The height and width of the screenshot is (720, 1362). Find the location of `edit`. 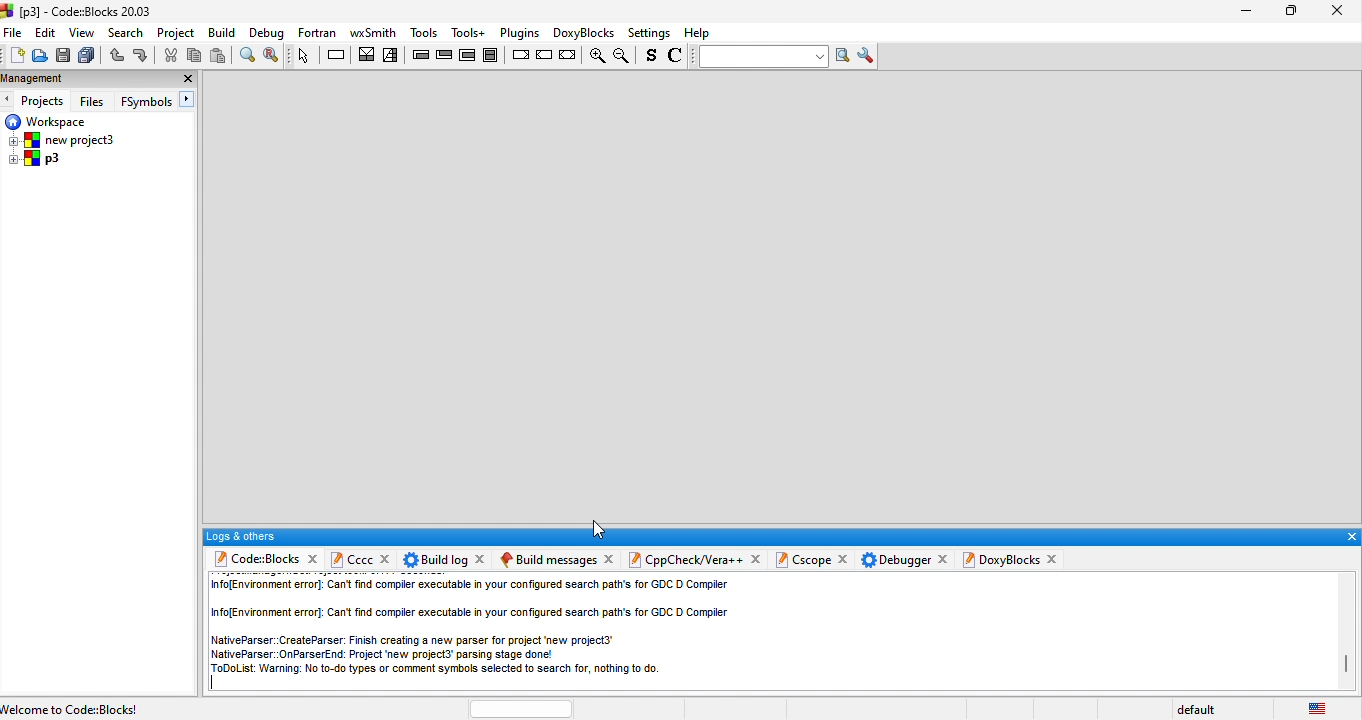

edit is located at coordinates (46, 33).